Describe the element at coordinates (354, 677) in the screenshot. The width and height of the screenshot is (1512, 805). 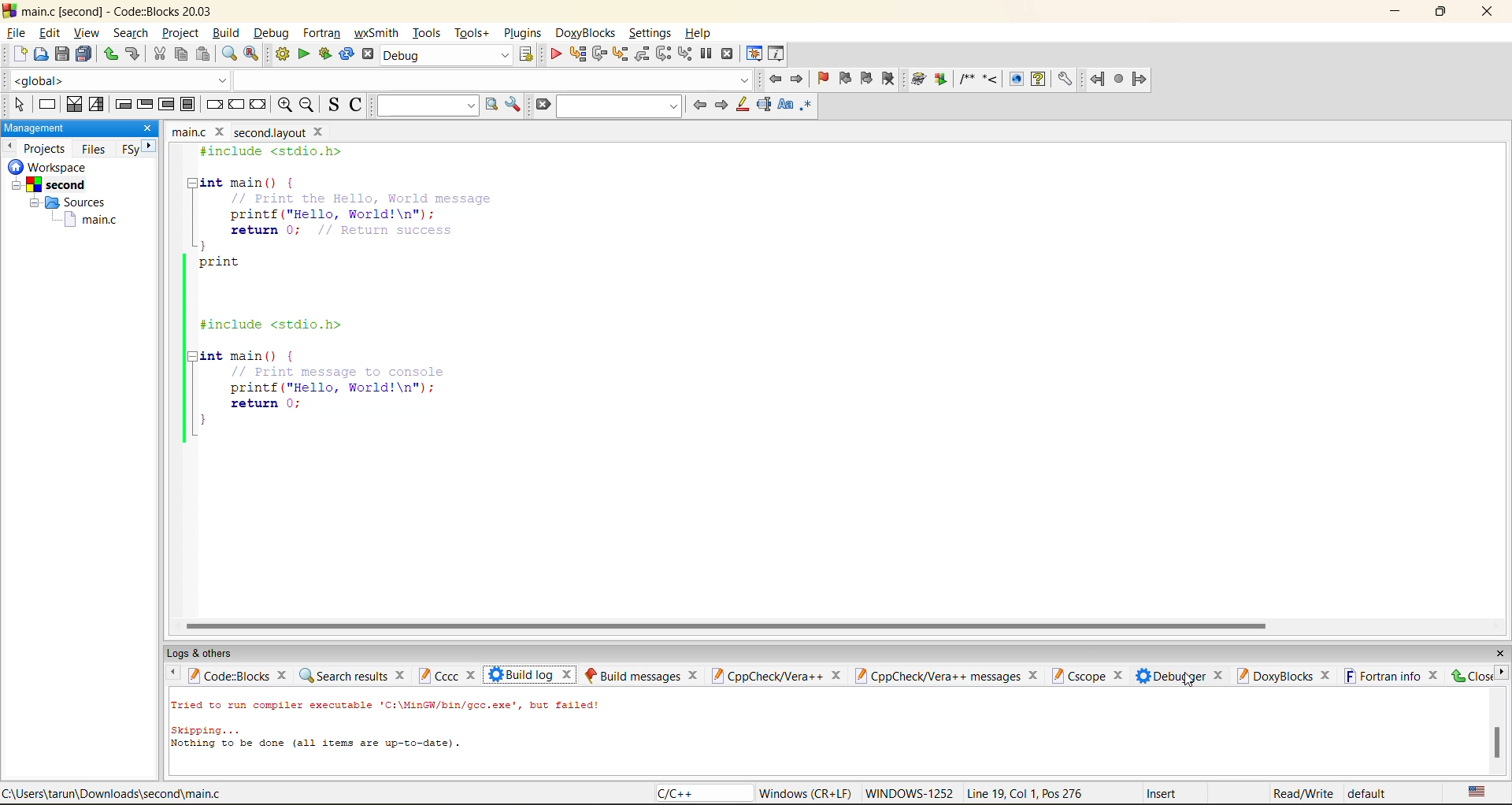
I see `search results` at that location.